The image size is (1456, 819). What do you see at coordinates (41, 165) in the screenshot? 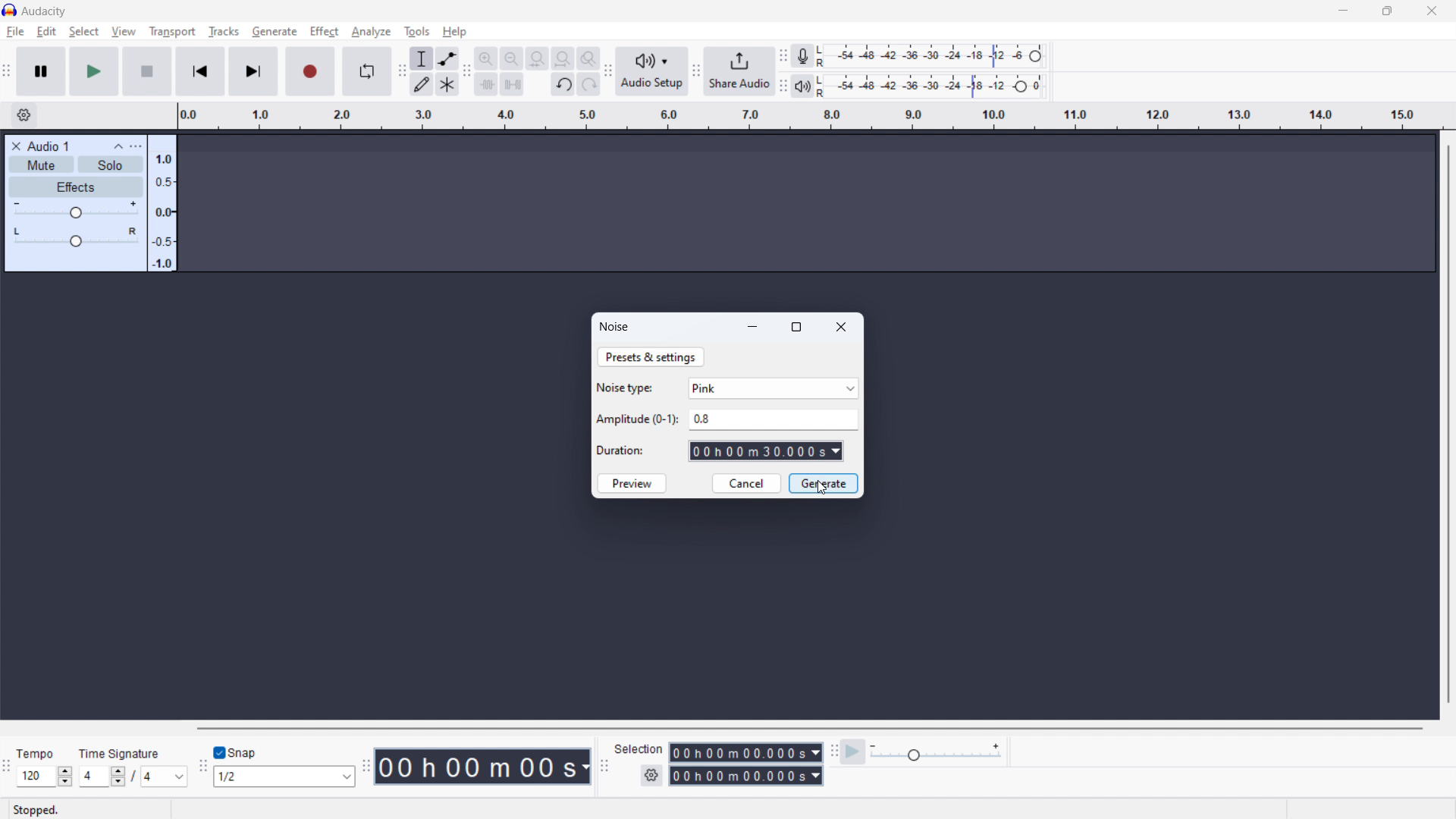
I see `mute` at bounding box center [41, 165].